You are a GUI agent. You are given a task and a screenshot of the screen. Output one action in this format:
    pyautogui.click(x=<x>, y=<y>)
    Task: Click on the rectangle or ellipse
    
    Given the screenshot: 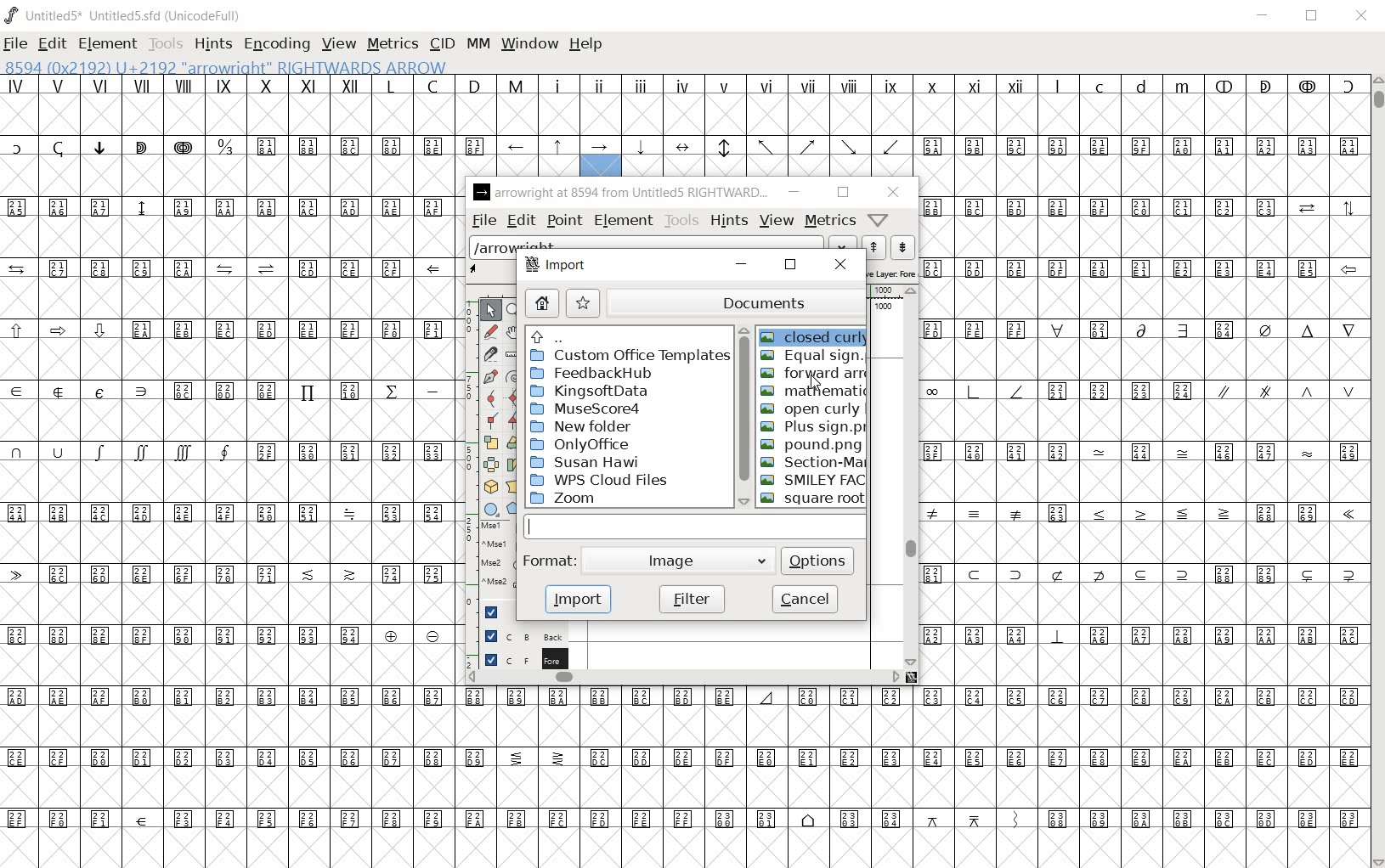 What is the action you would take?
    pyautogui.click(x=491, y=509)
    